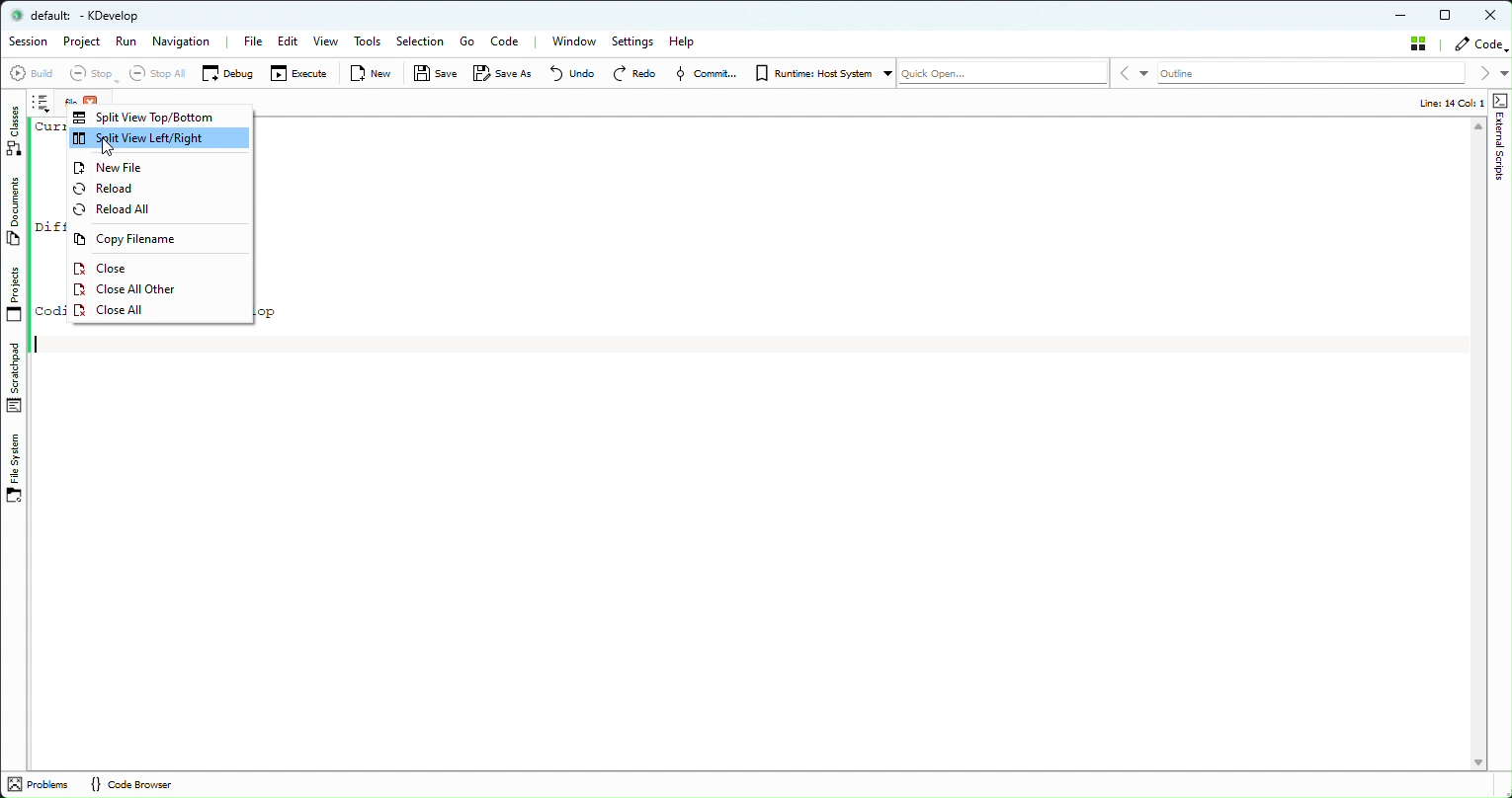 The height and width of the screenshot is (798, 1512). What do you see at coordinates (148, 241) in the screenshot?
I see `Copy filename` at bounding box center [148, 241].